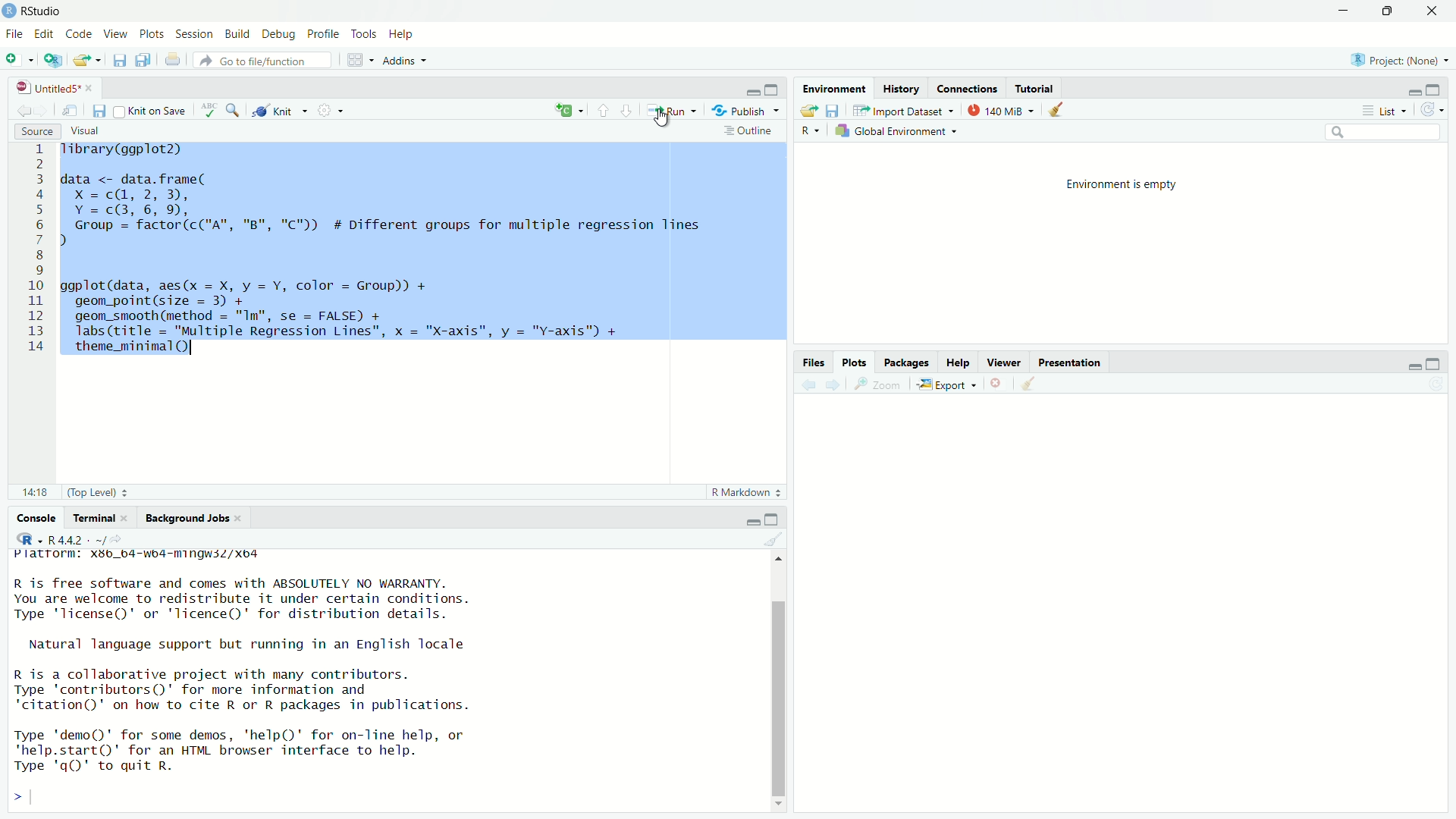 This screenshot has width=1456, height=819. Describe the element at coordinates (664, 120) in the screenshot. I see `cursor` at that location.